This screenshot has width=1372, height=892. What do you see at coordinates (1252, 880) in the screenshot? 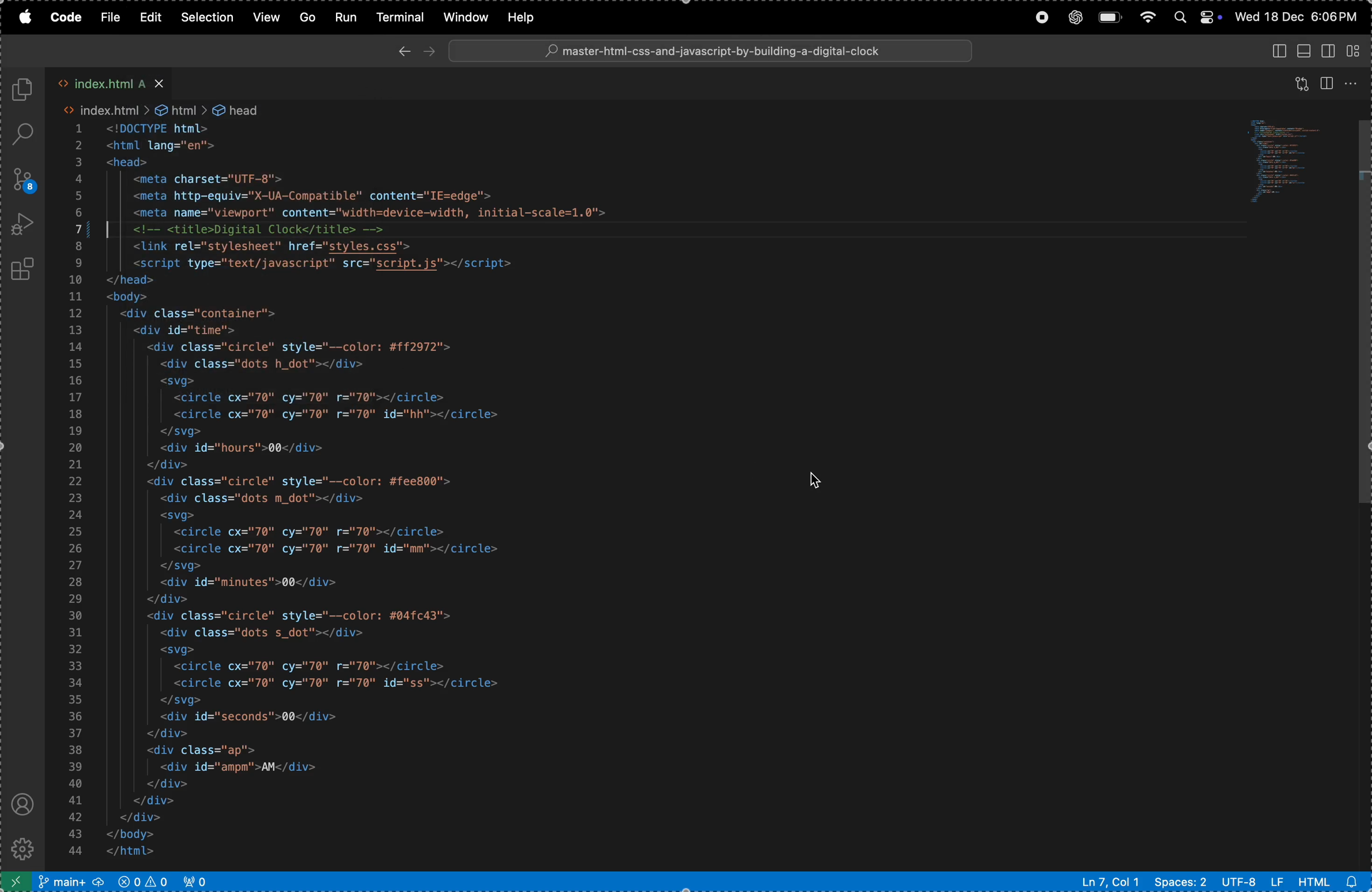
I see `utf -8 lf` at bounding box center [1252, 880].